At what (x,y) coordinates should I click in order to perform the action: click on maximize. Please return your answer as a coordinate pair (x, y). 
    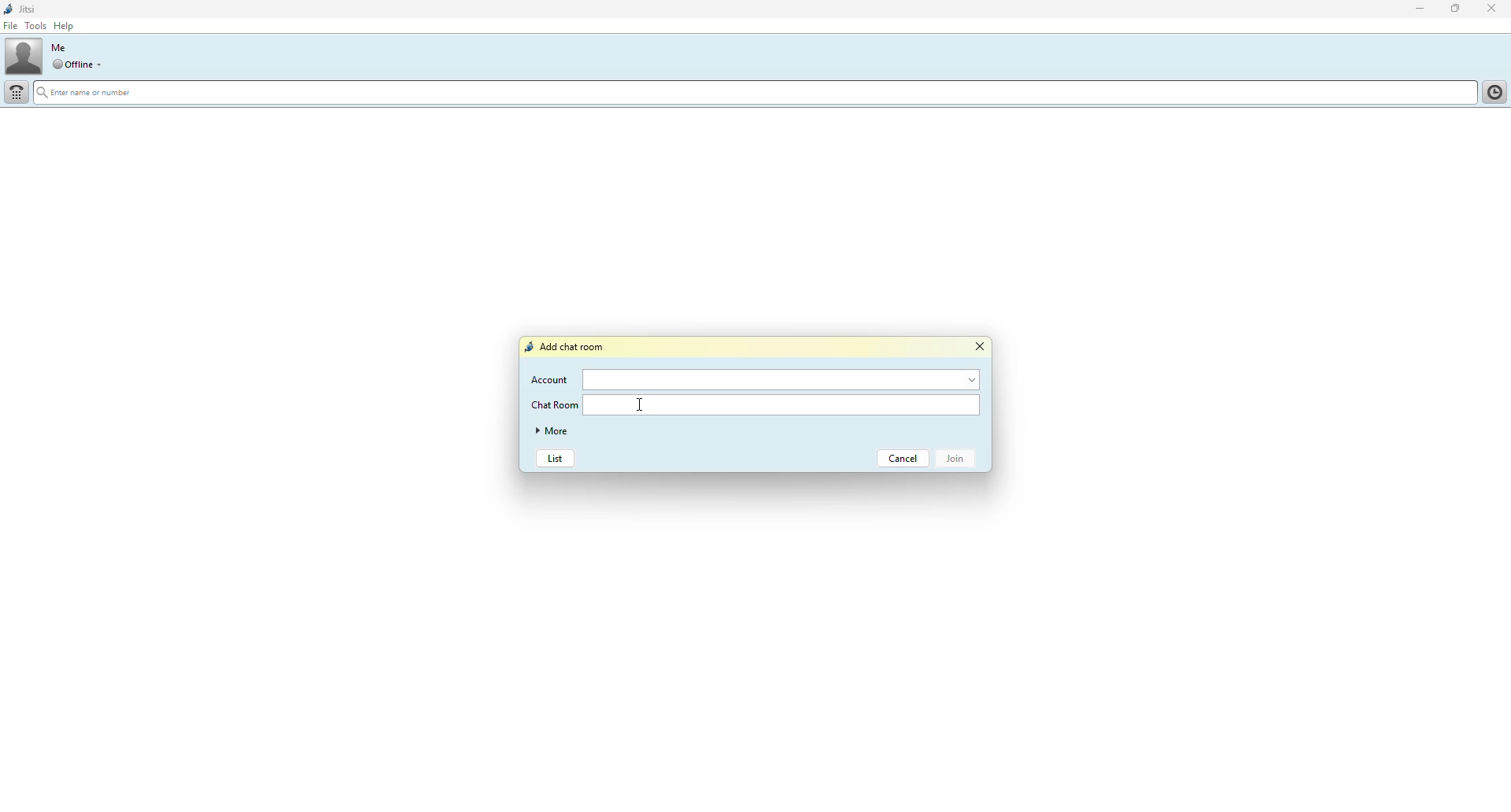
    Looking at the image, I should click on (1454, 9).